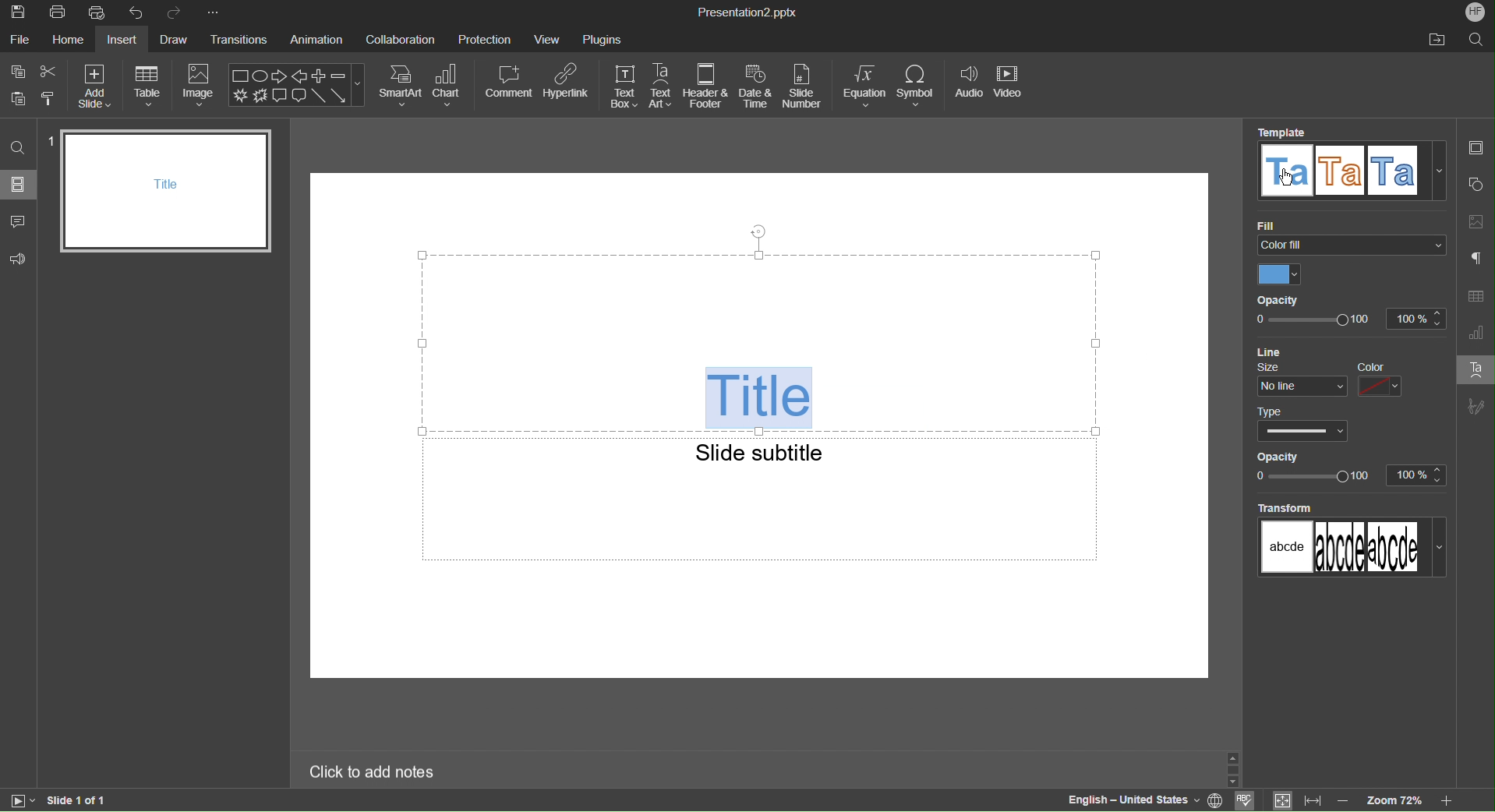 This screenshot has width=1495, height=812. What do you see at coordinates (663, 86) in the screenshot?
I see `Text Art` at bounding box center [663, 86].